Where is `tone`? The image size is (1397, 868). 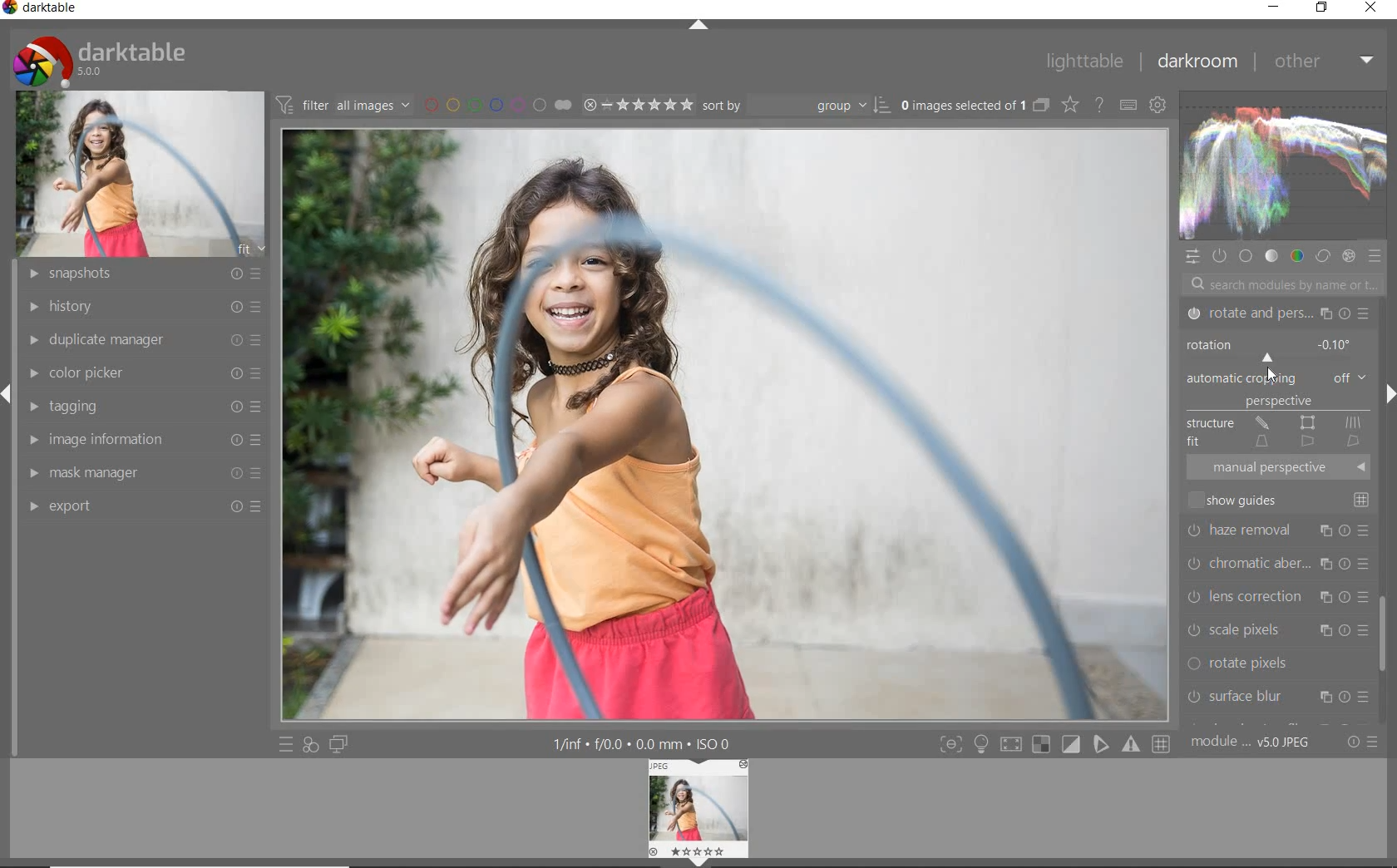
tone is located at coordinates (1271, 256).